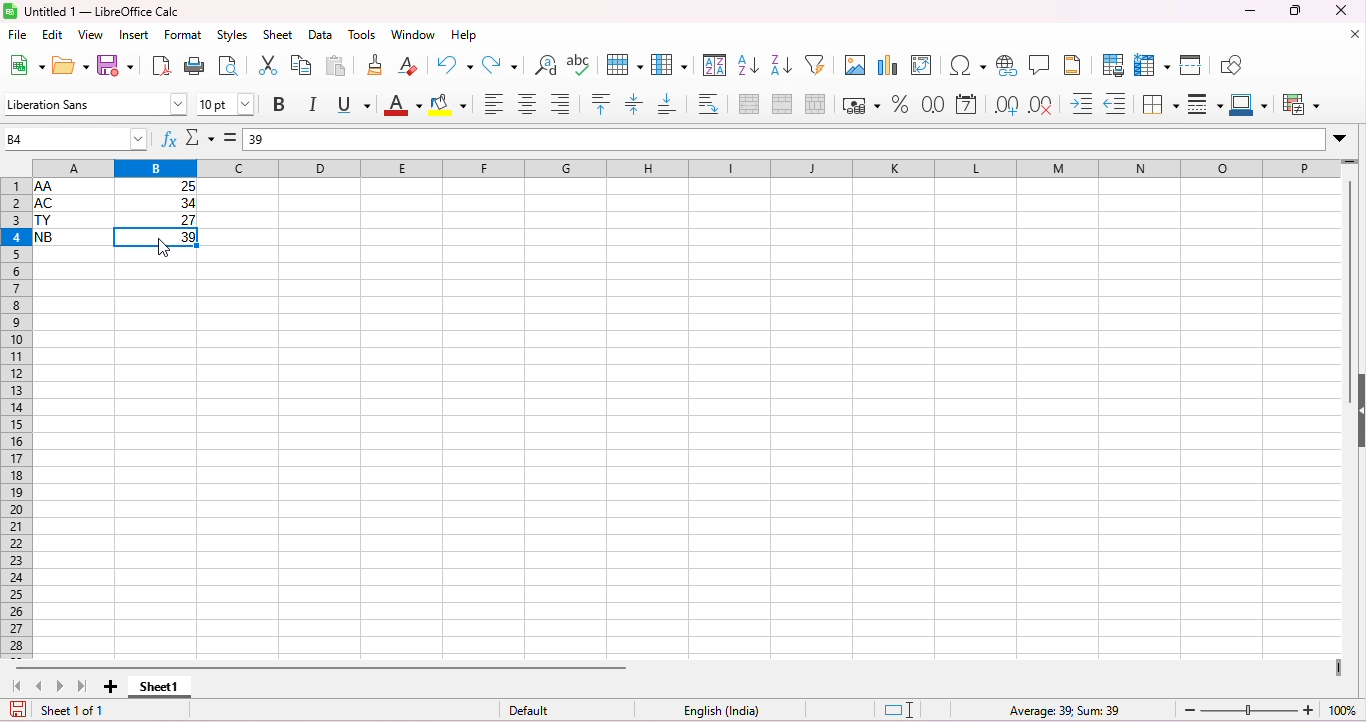 This screenshot has height=722, width=1366. Describe the element at coordinates (353, 105) in the screenshot. I see `underline` at that location.